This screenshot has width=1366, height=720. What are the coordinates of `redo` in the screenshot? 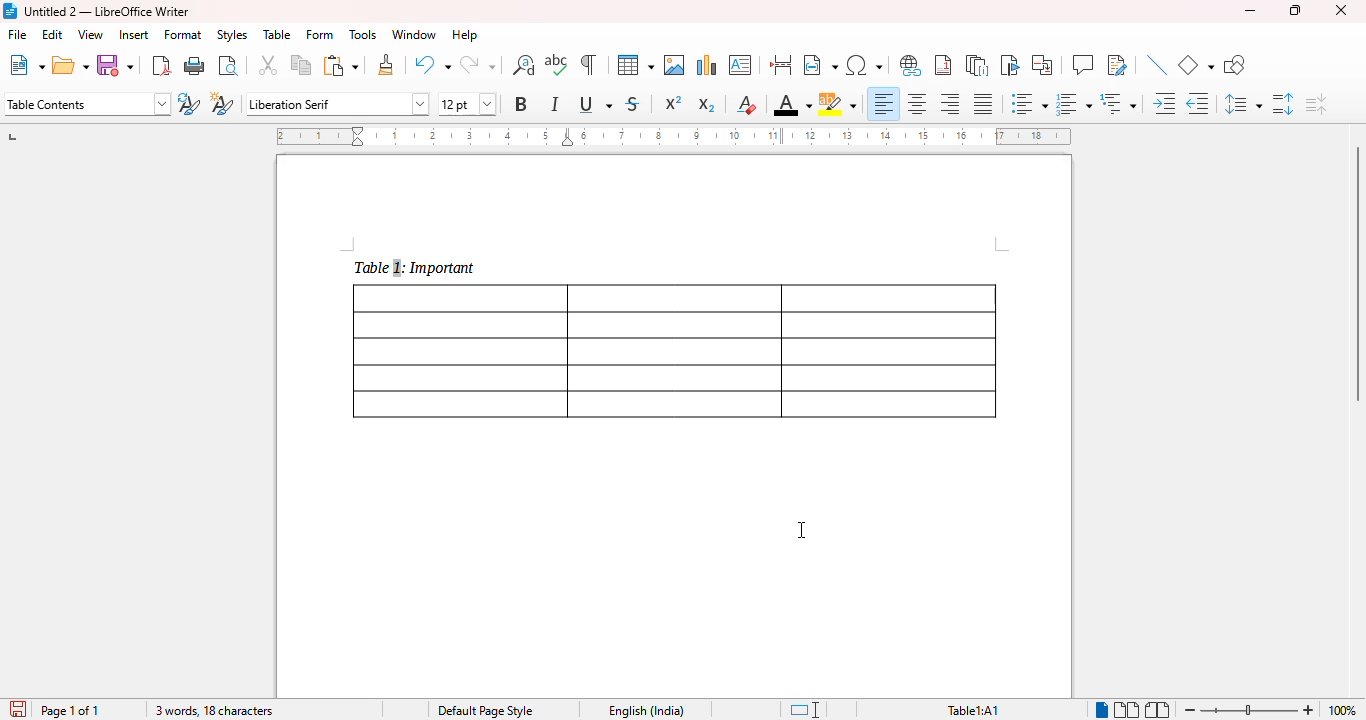 It's located at (477, 64).